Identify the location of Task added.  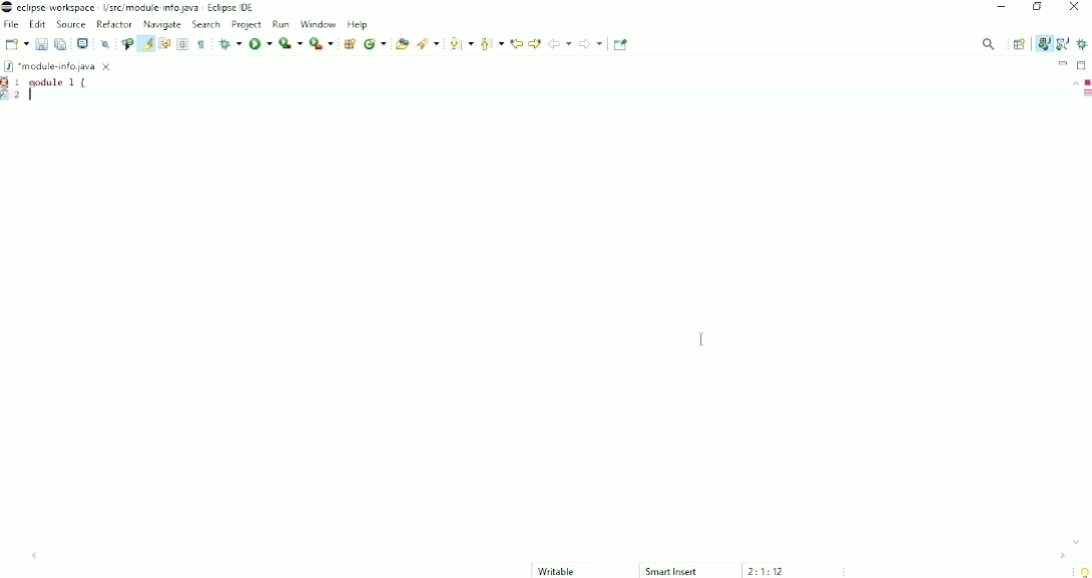
(10, 98).